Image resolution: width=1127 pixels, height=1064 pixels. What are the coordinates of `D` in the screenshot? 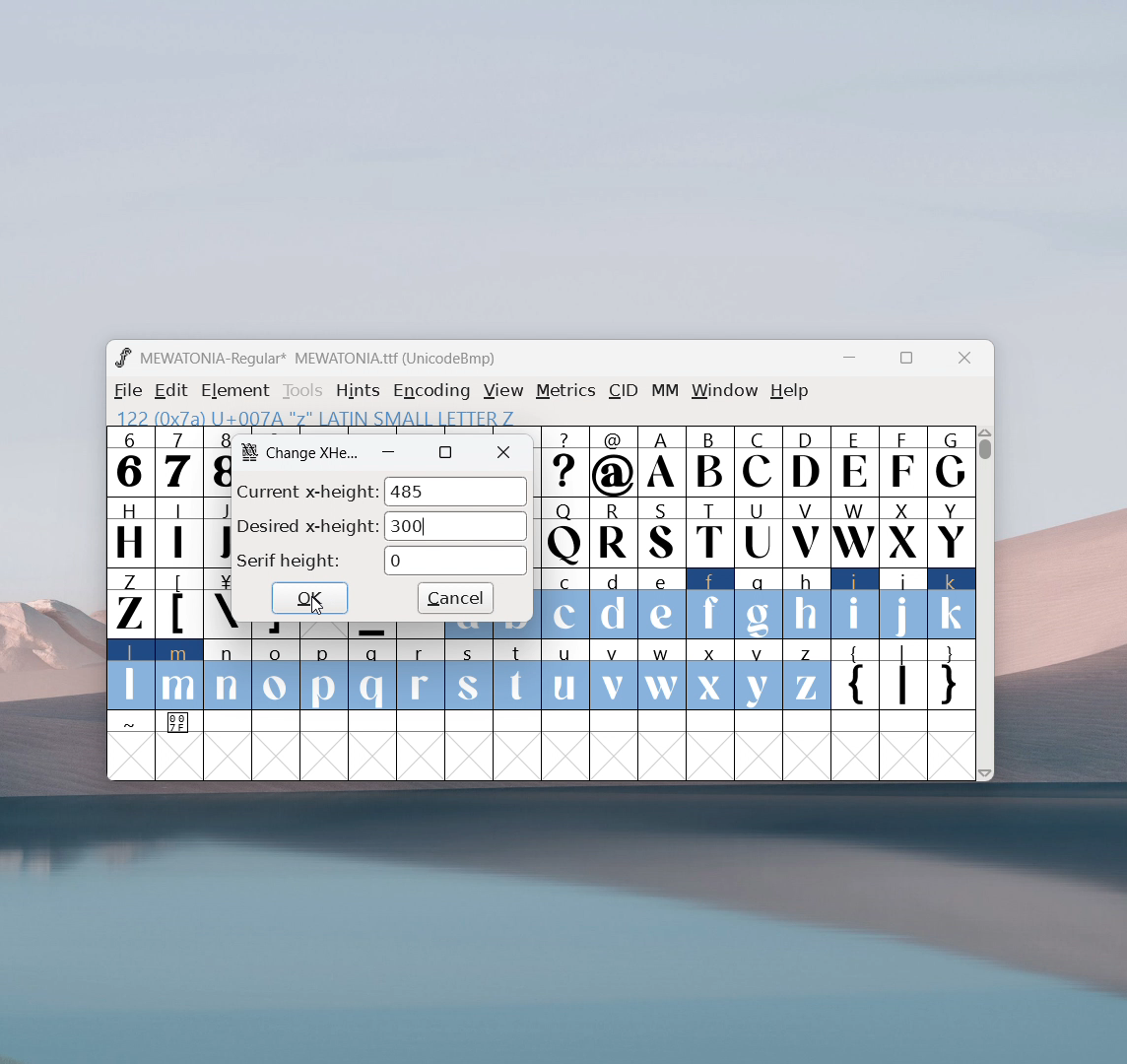 It's located at (805, 460).